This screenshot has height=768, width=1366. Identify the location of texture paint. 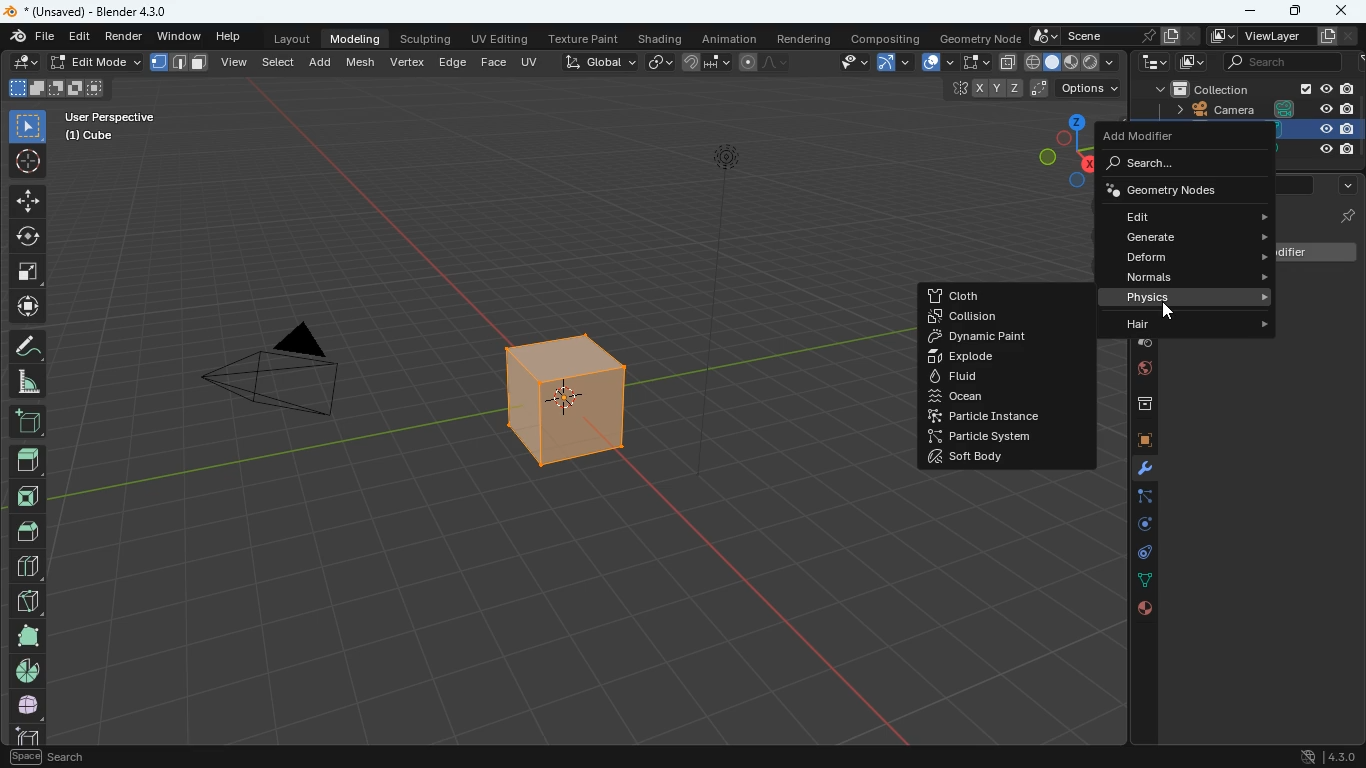
(584, 36).